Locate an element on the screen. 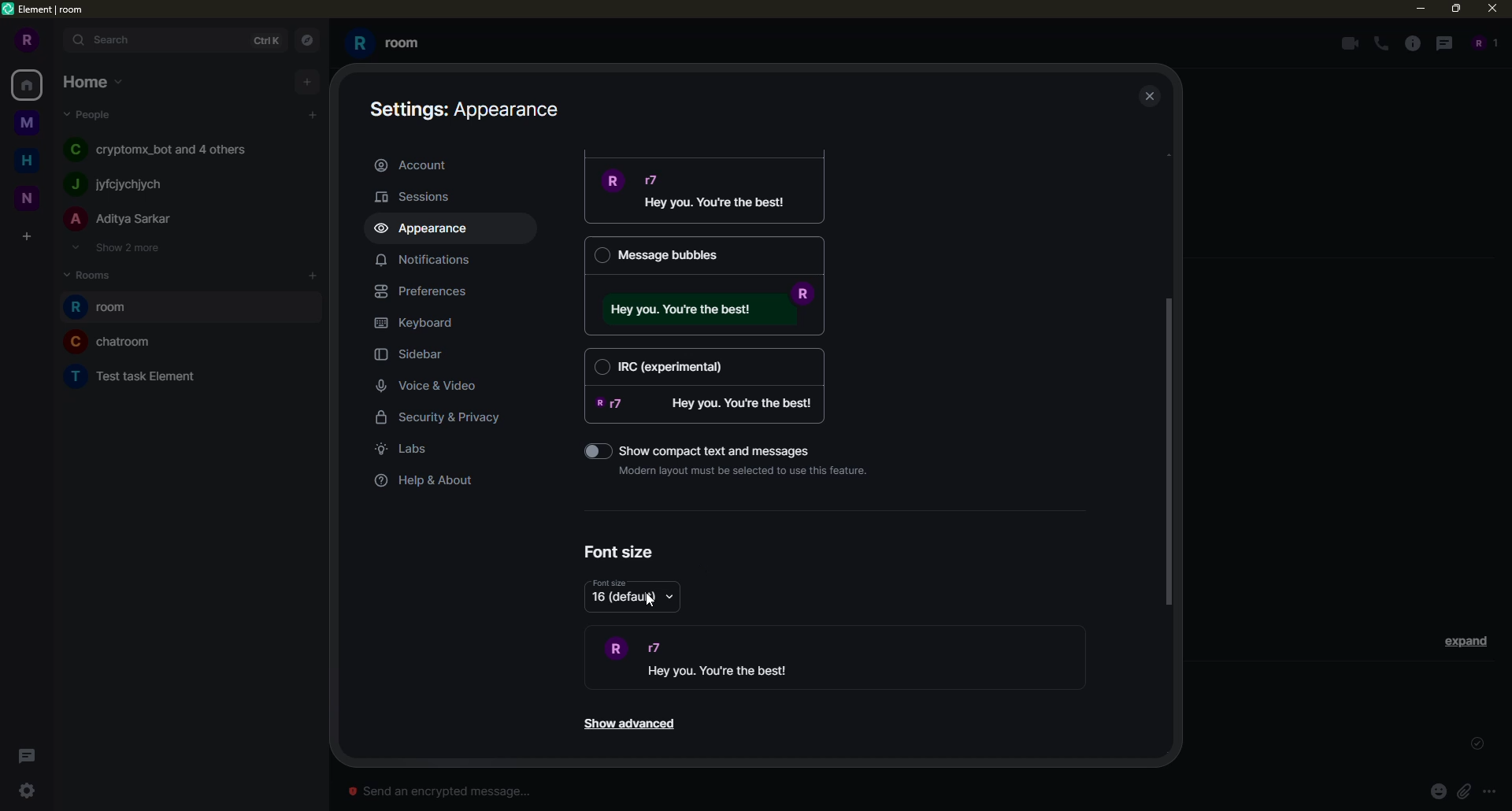 Image resolution: width=1512 pixels, height=811 pixels. people is located at coordinates (121, 220).